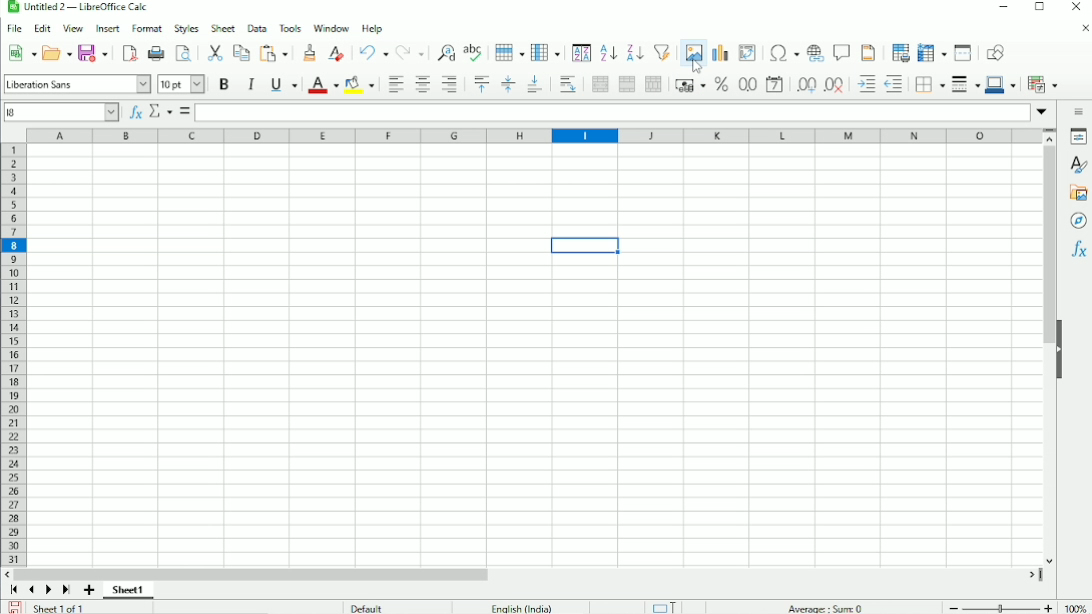 This screenshot has height=614, width=1092. Describe the element at coordinates (184, 28) in the screenshot. I see `Styles` at that location.